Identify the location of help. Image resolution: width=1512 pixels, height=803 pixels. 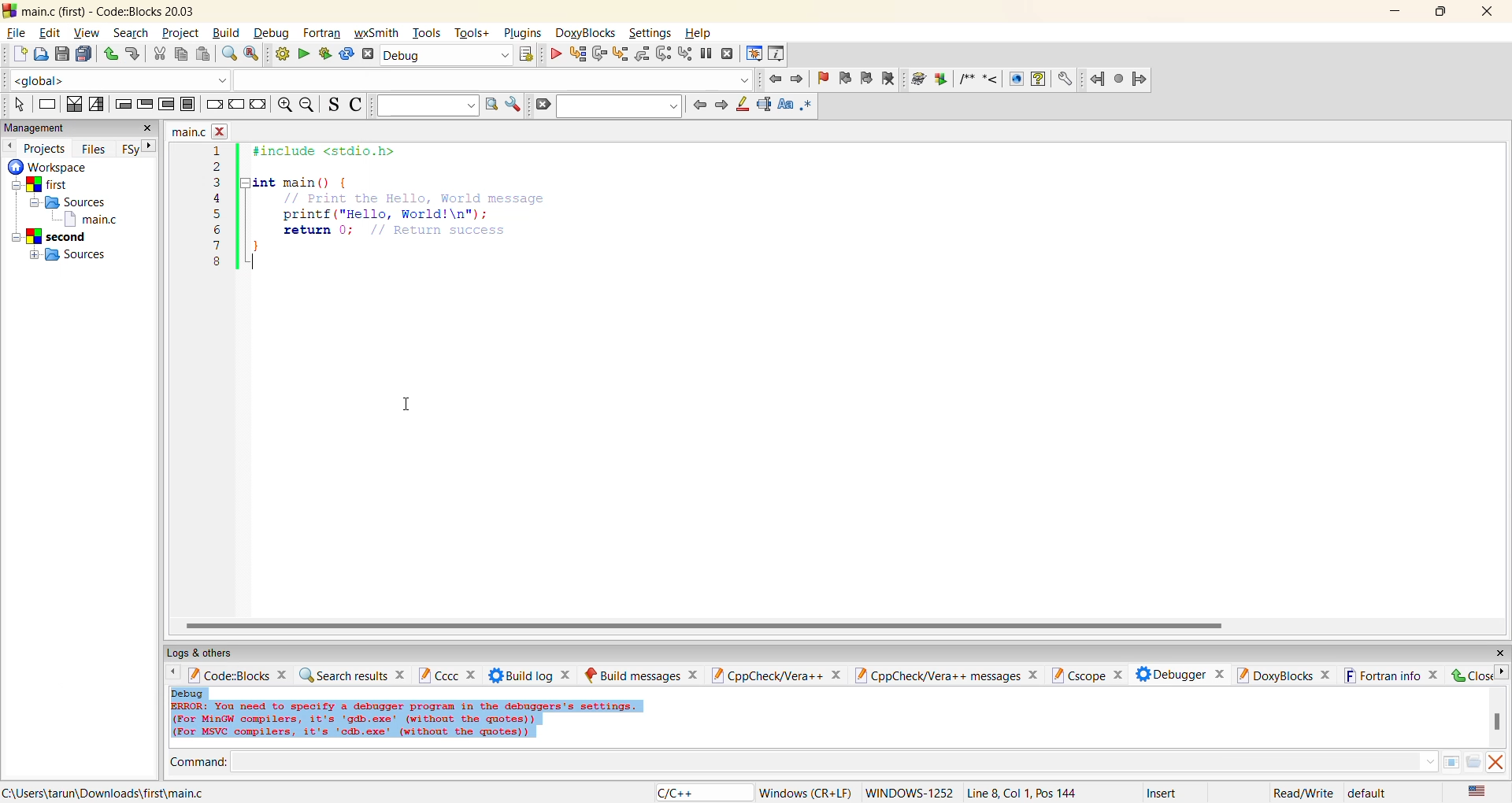
(1039, 79).